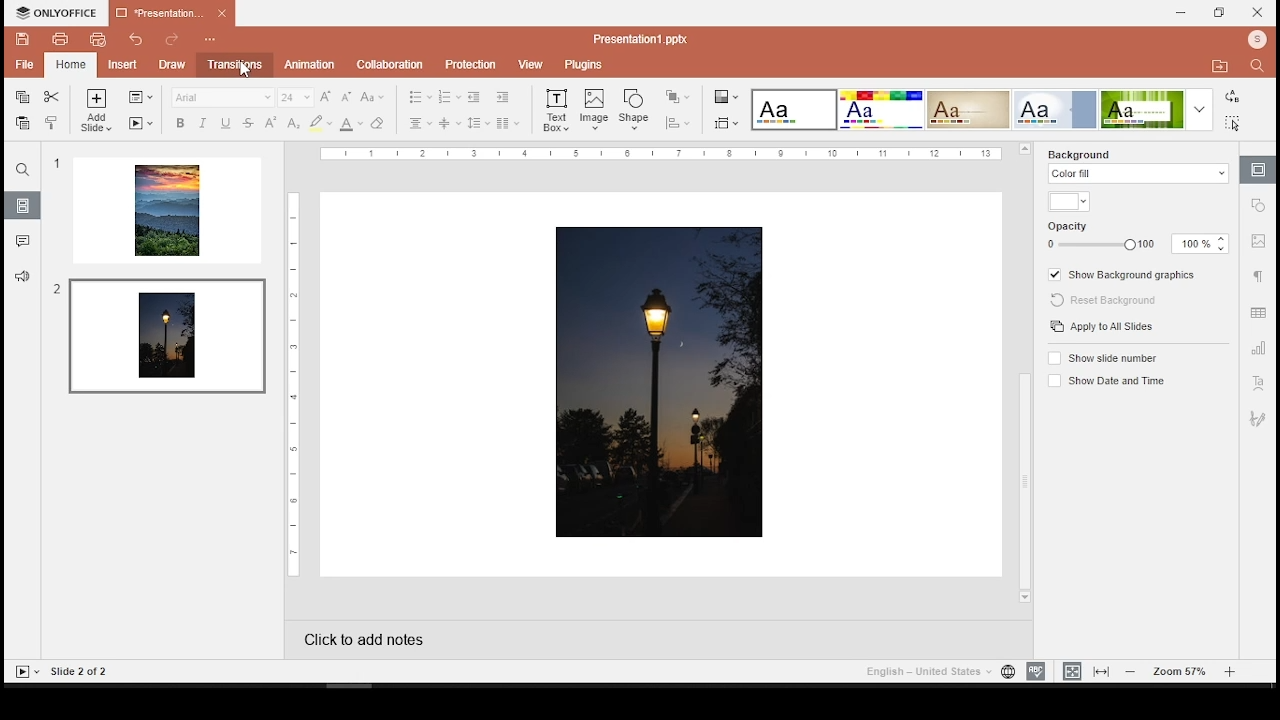  What do you see at coordinates (651, 37) in the screenshot?
I see `Presentation? ppx` at bounding box center [651, 37].